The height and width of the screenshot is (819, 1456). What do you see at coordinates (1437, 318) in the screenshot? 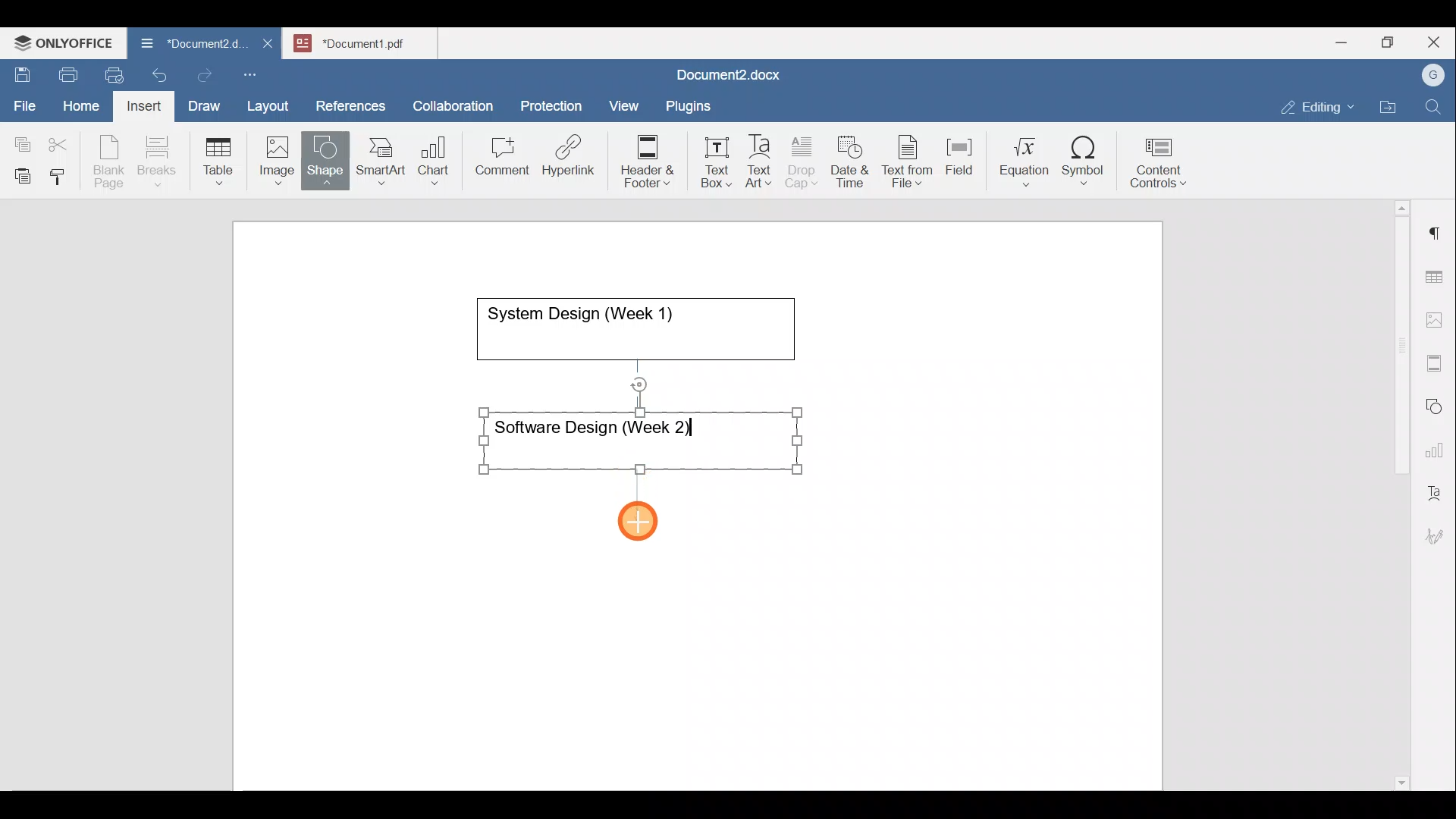
I see `Image settings` at bounding box center [1437, 318].